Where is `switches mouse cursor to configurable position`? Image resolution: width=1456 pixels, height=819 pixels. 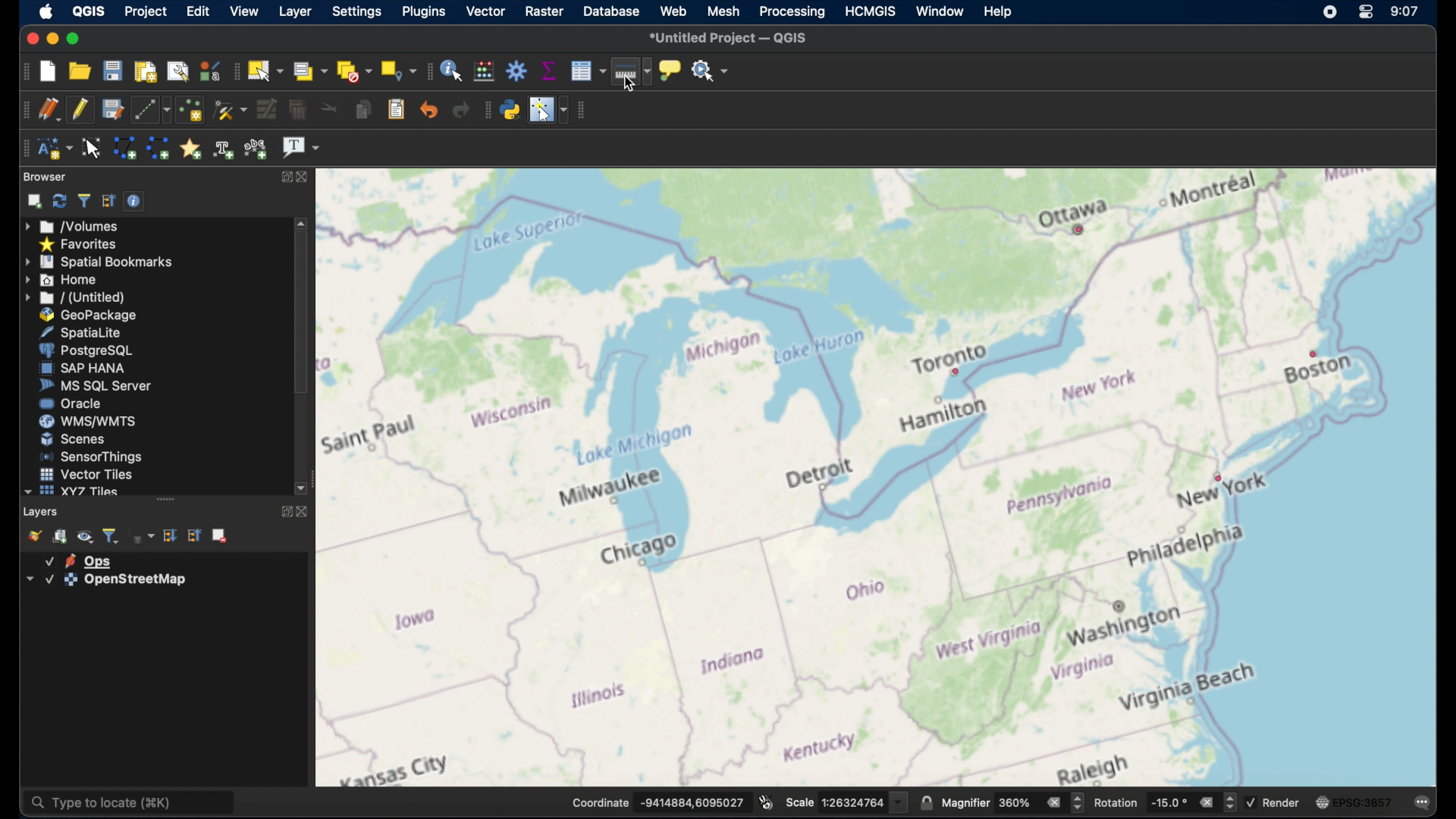
switches mouse cursor to configurable position is located at coordinates (549, 110).